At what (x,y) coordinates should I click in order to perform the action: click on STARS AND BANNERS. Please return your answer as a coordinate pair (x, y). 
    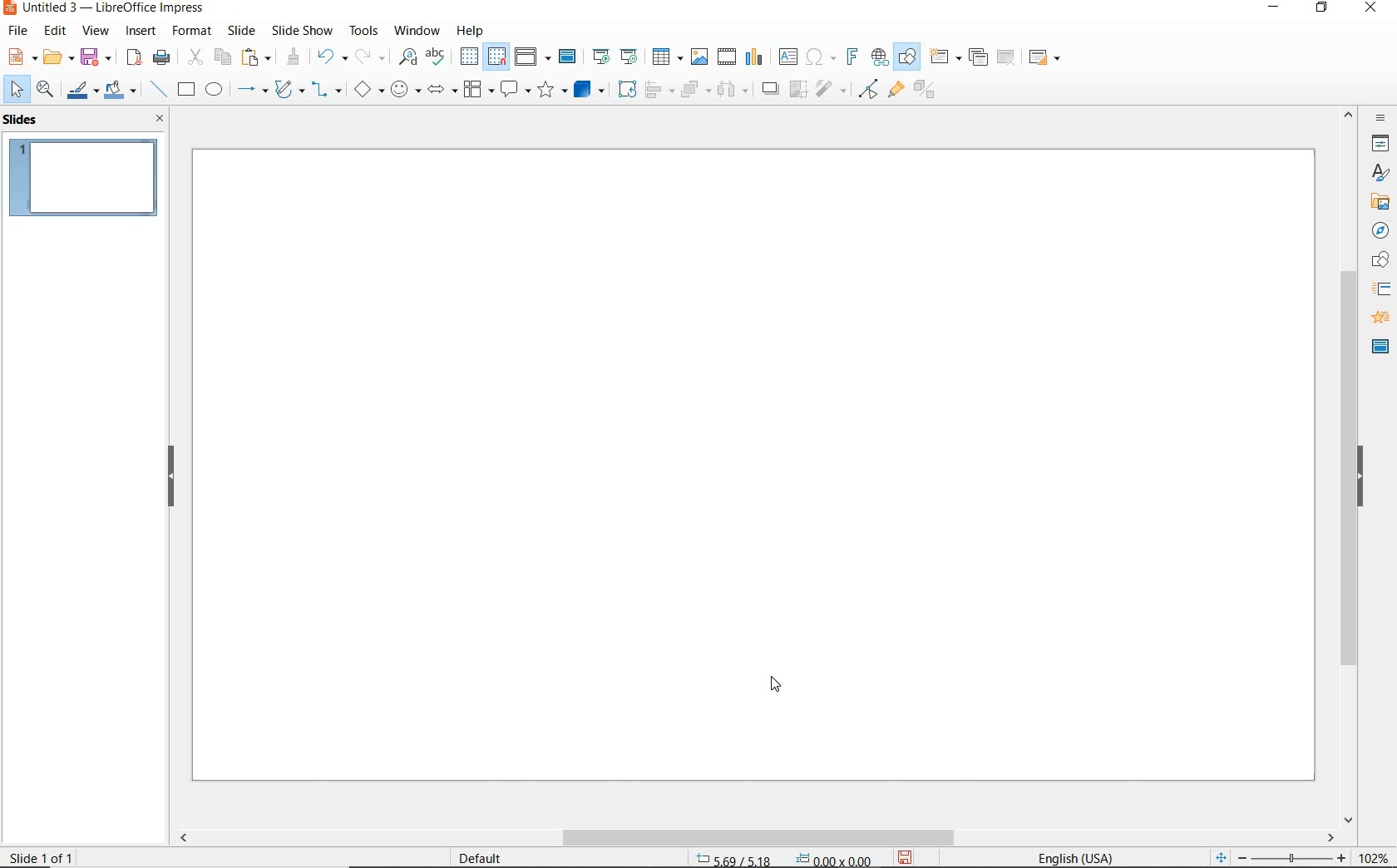
    Looking at the image, I should click on (549, 91).